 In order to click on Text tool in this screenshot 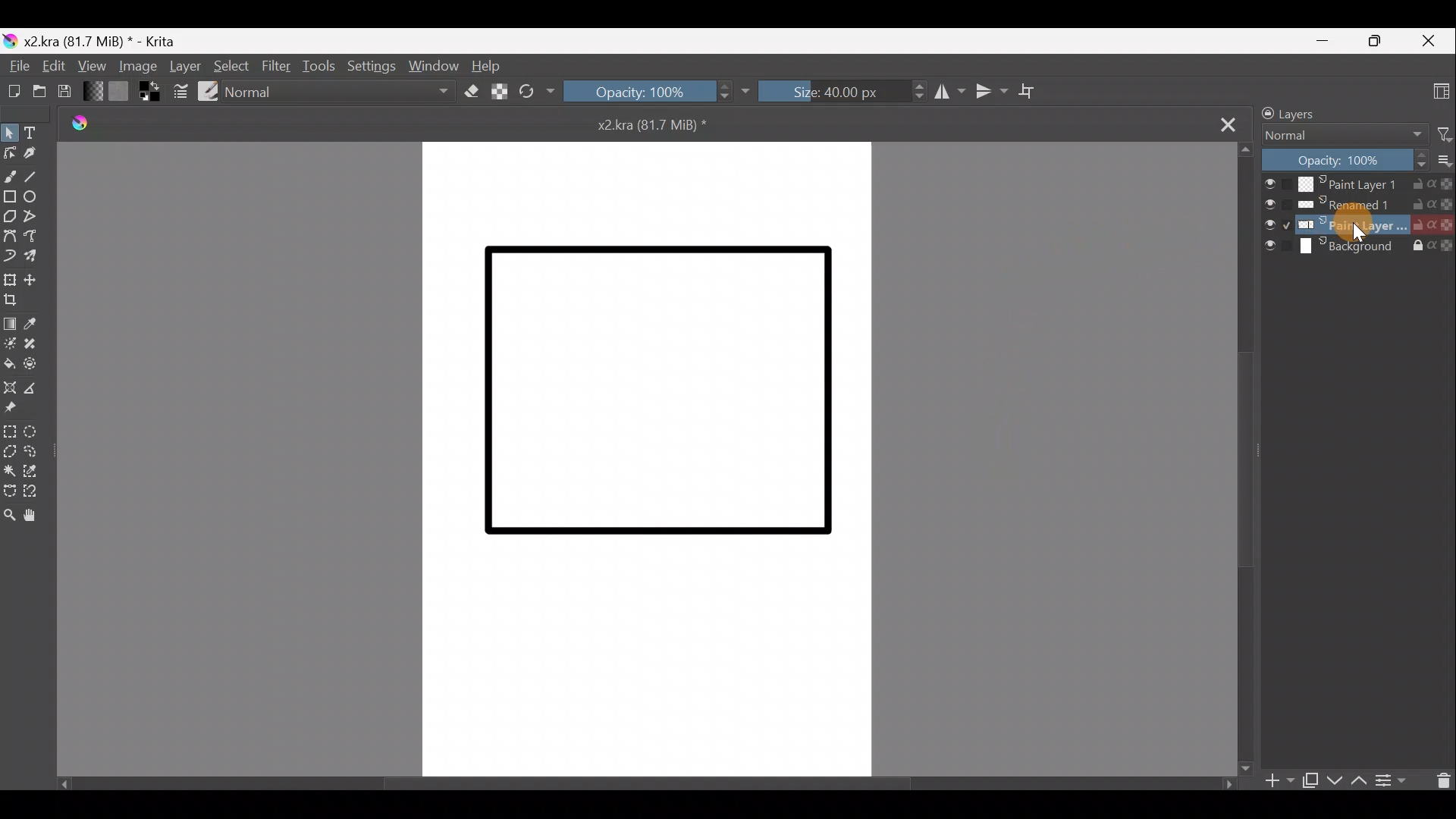, I will do `click(35, 132)`.